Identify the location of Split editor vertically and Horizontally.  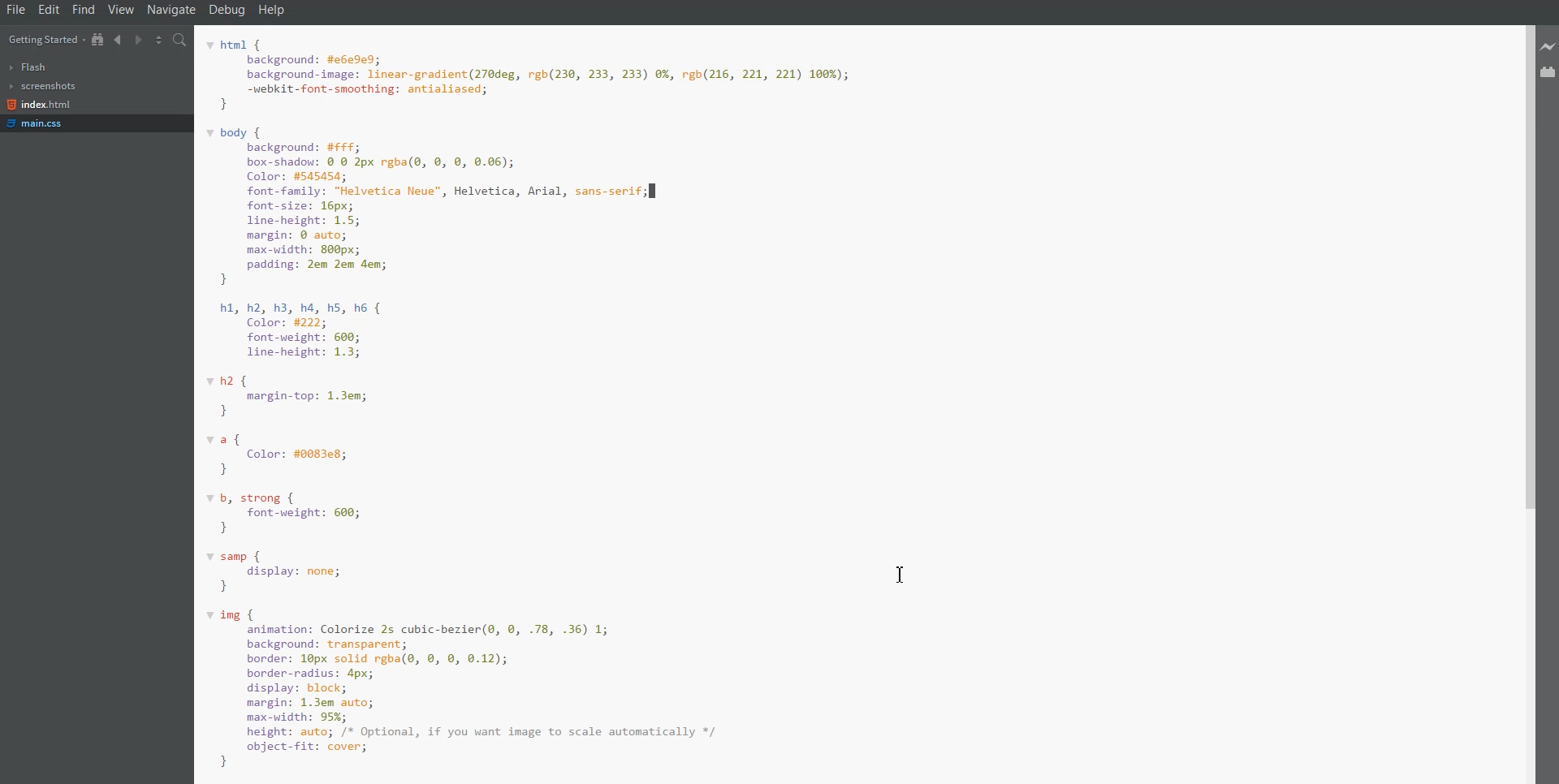
(159, 39).